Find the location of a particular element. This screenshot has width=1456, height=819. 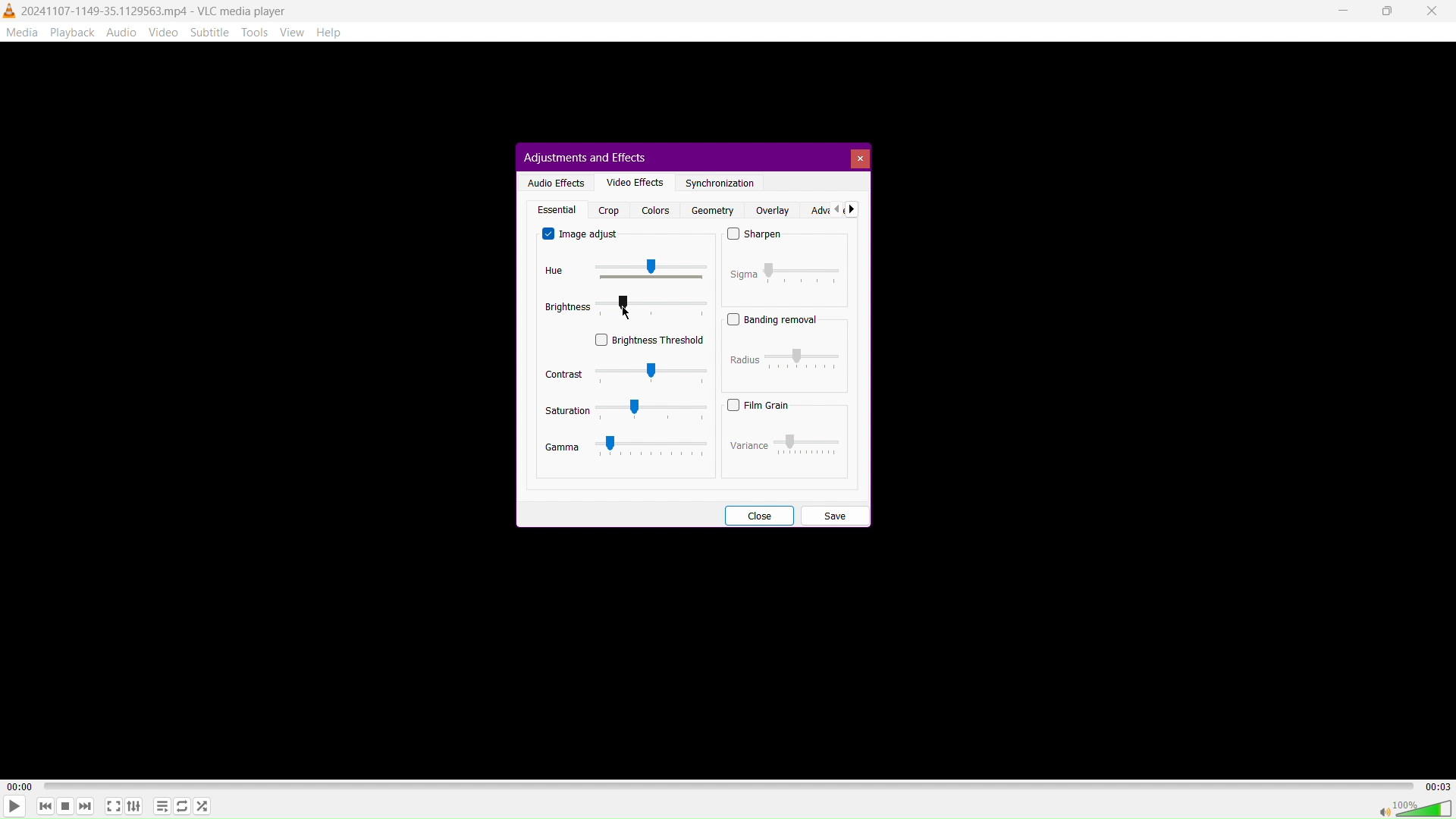

DRAG_TO Cursor Position is located at coordinates (626, 312).